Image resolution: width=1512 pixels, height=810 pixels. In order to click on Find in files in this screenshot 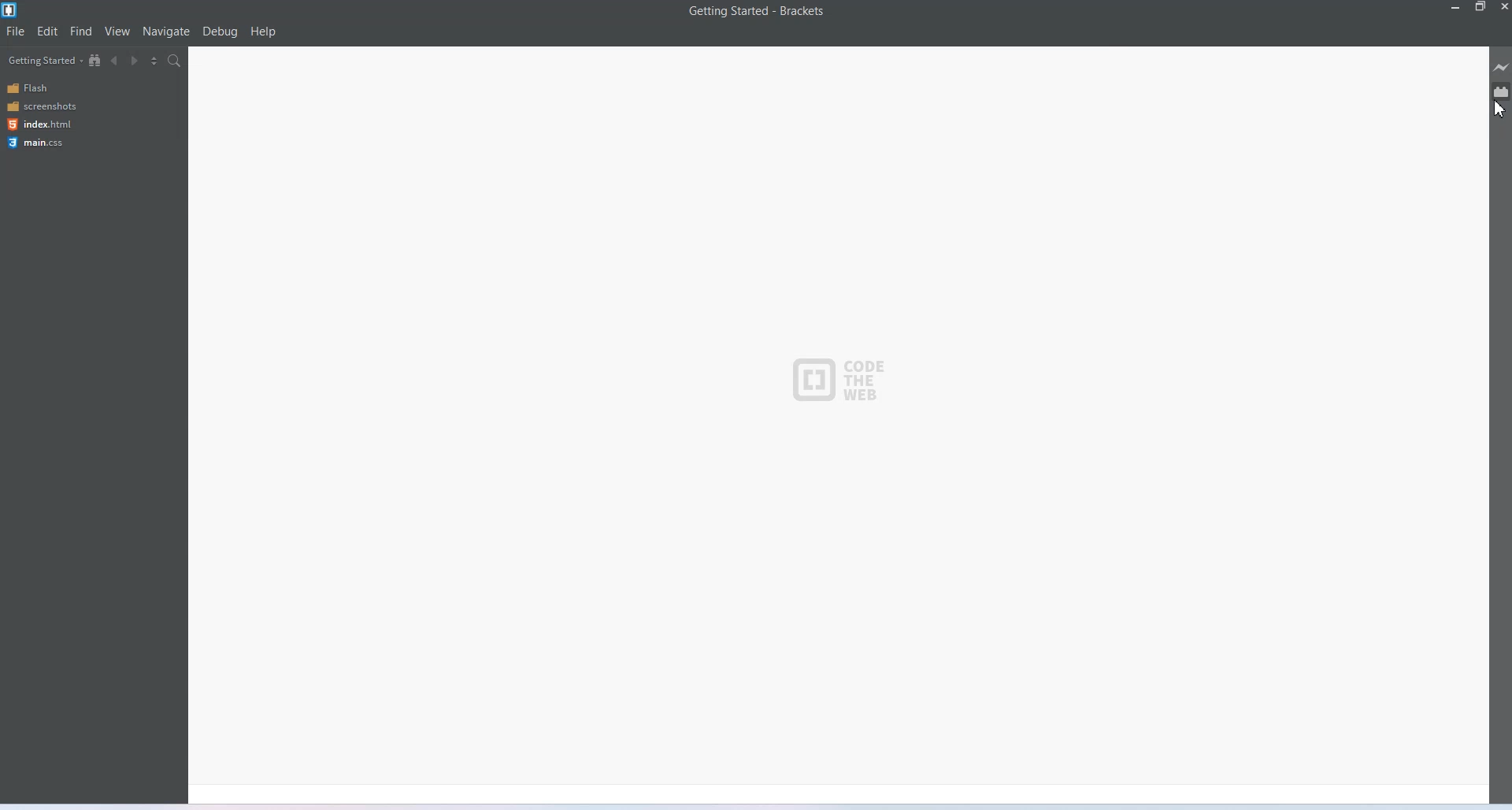, I will do `click(175, 61)`.